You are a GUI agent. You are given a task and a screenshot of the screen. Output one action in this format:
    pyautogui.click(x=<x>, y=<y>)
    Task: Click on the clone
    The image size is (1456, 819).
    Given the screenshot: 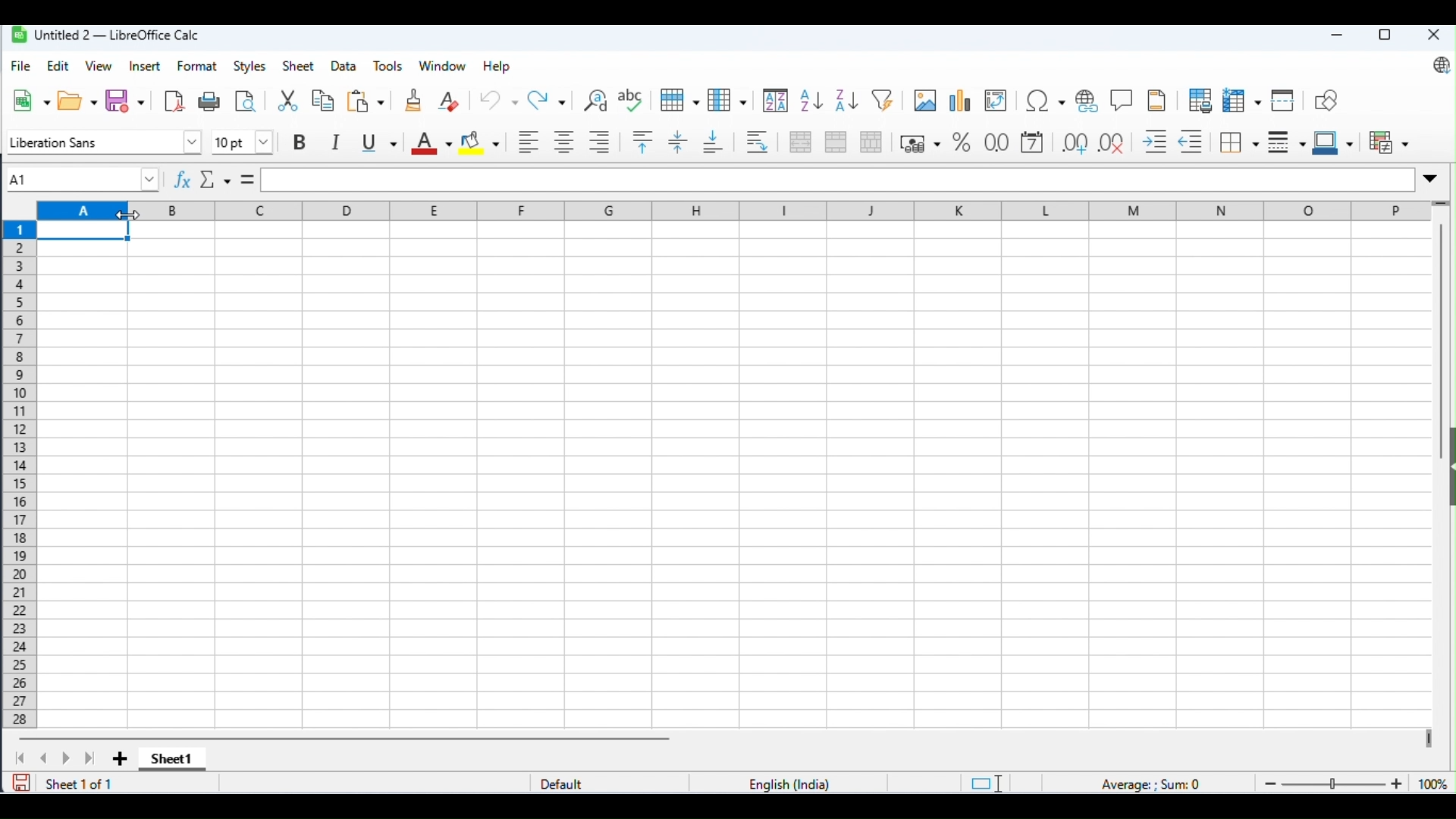 What is the action you would take?
    pyautogui.click(x=414, y=99)
    